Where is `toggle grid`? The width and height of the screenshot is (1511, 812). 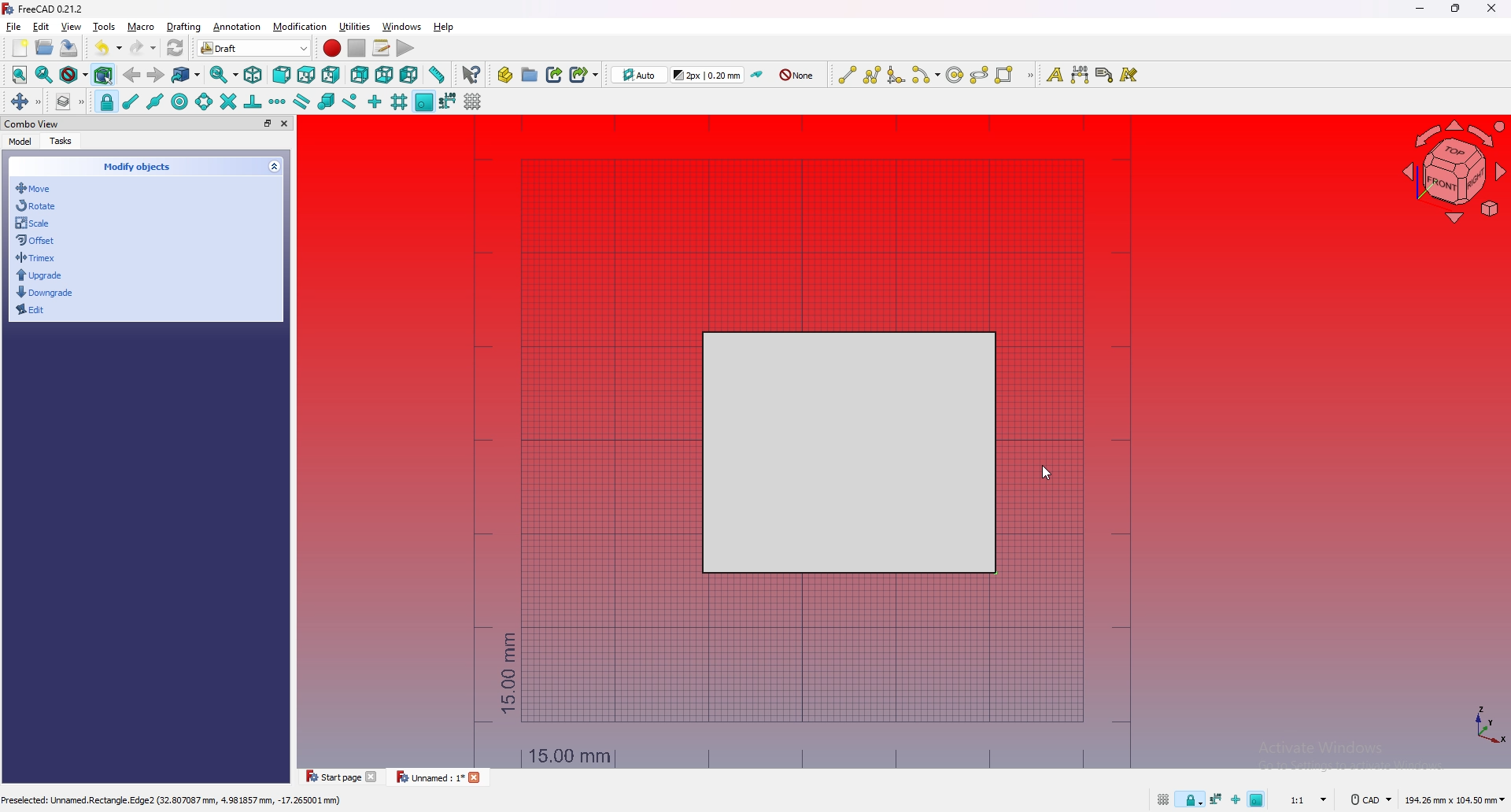 toggle grid is located at coordinates (475, 101).